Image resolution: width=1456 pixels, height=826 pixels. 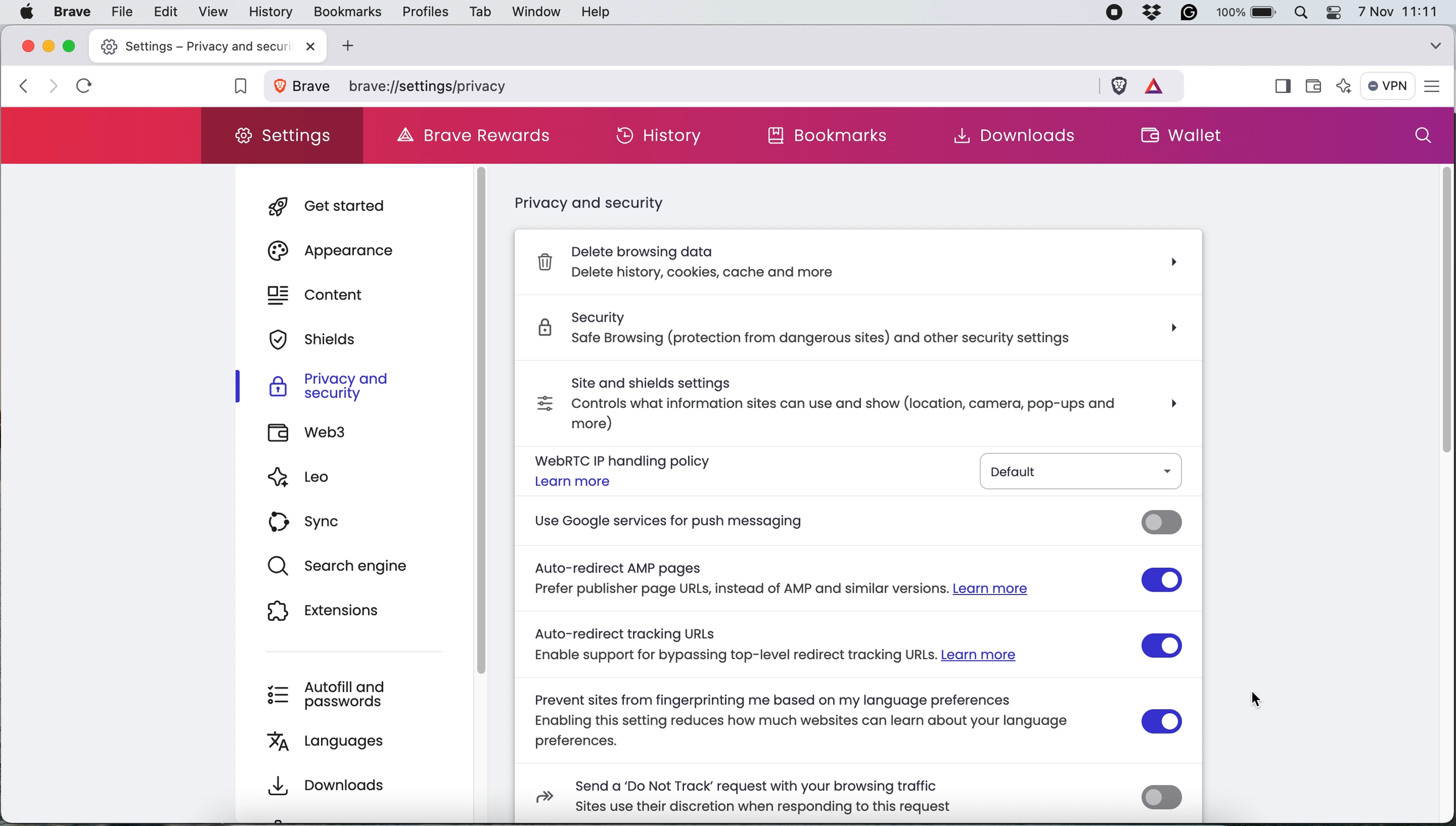 What do you see at coordinates (826, 796) in the screenshot?
I see `Send a ‘Do Not Track’ request with your browsing traffic
Sites use their discretion when responding to this request` at bounding box center [826, 796].